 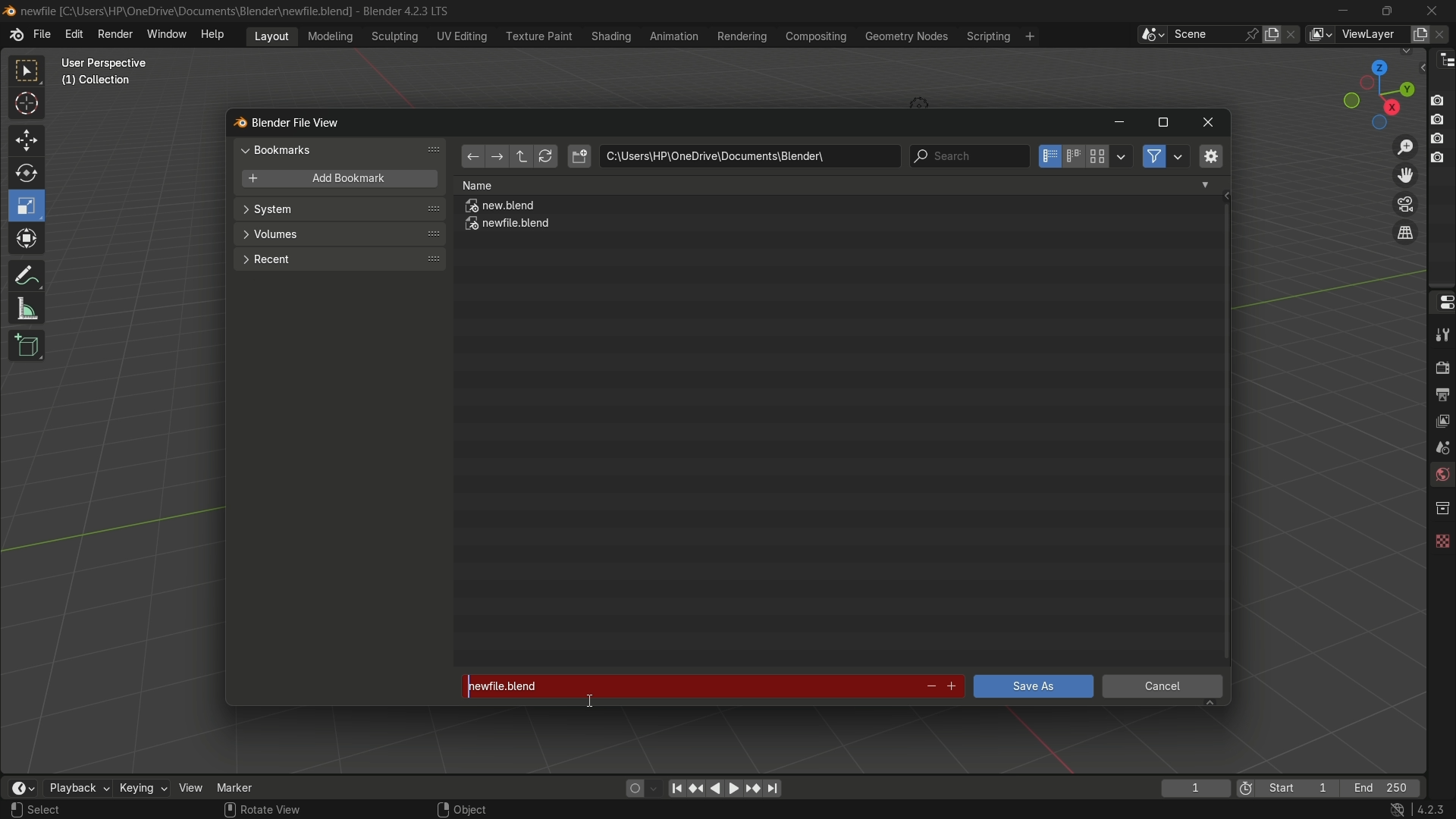 What do you see at coordinates (191, 787) in the screenshot?
I see `view` at bounding box center [191, 787].